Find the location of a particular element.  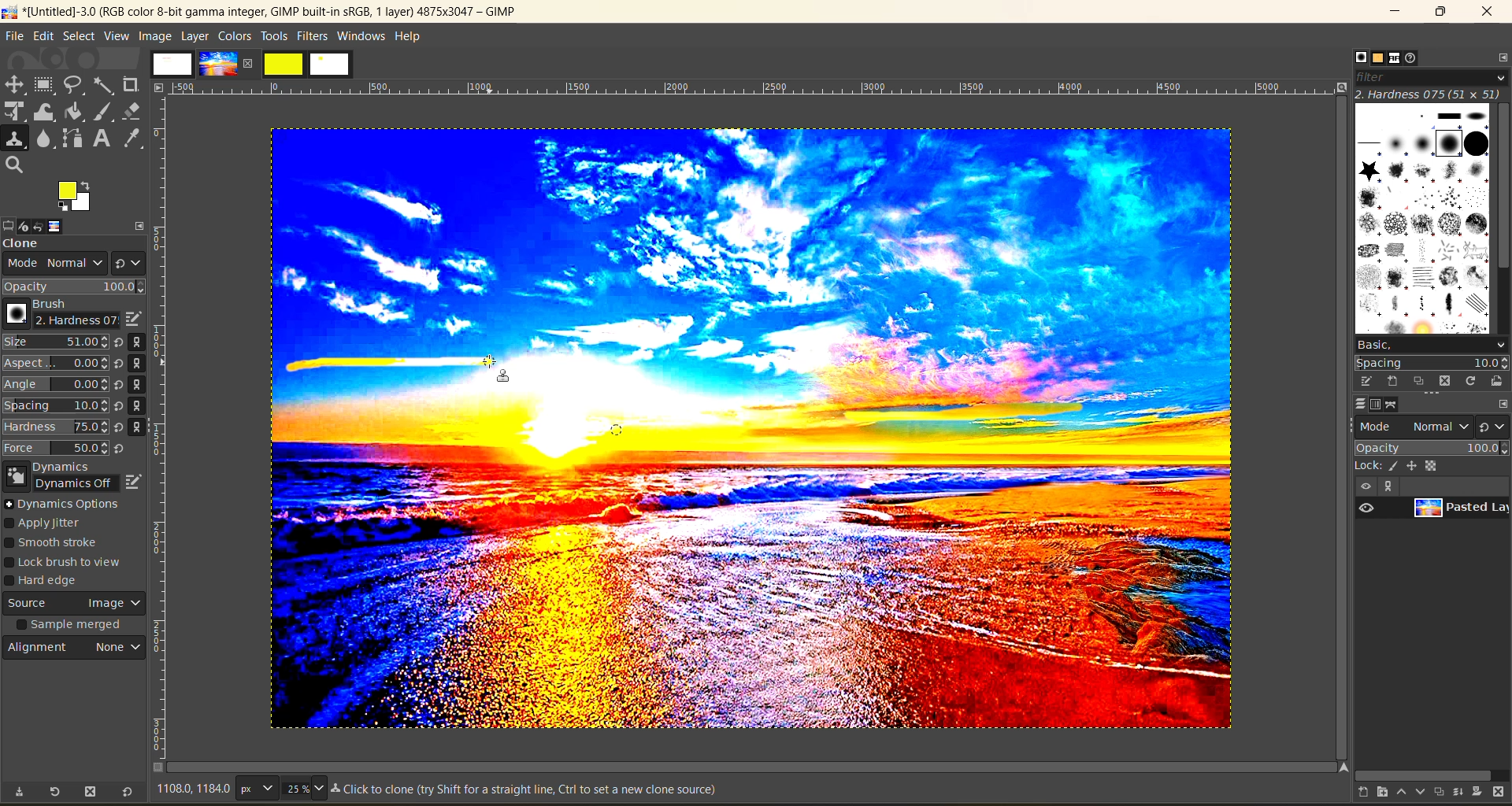

text tool is located at coordinates (103, 139).